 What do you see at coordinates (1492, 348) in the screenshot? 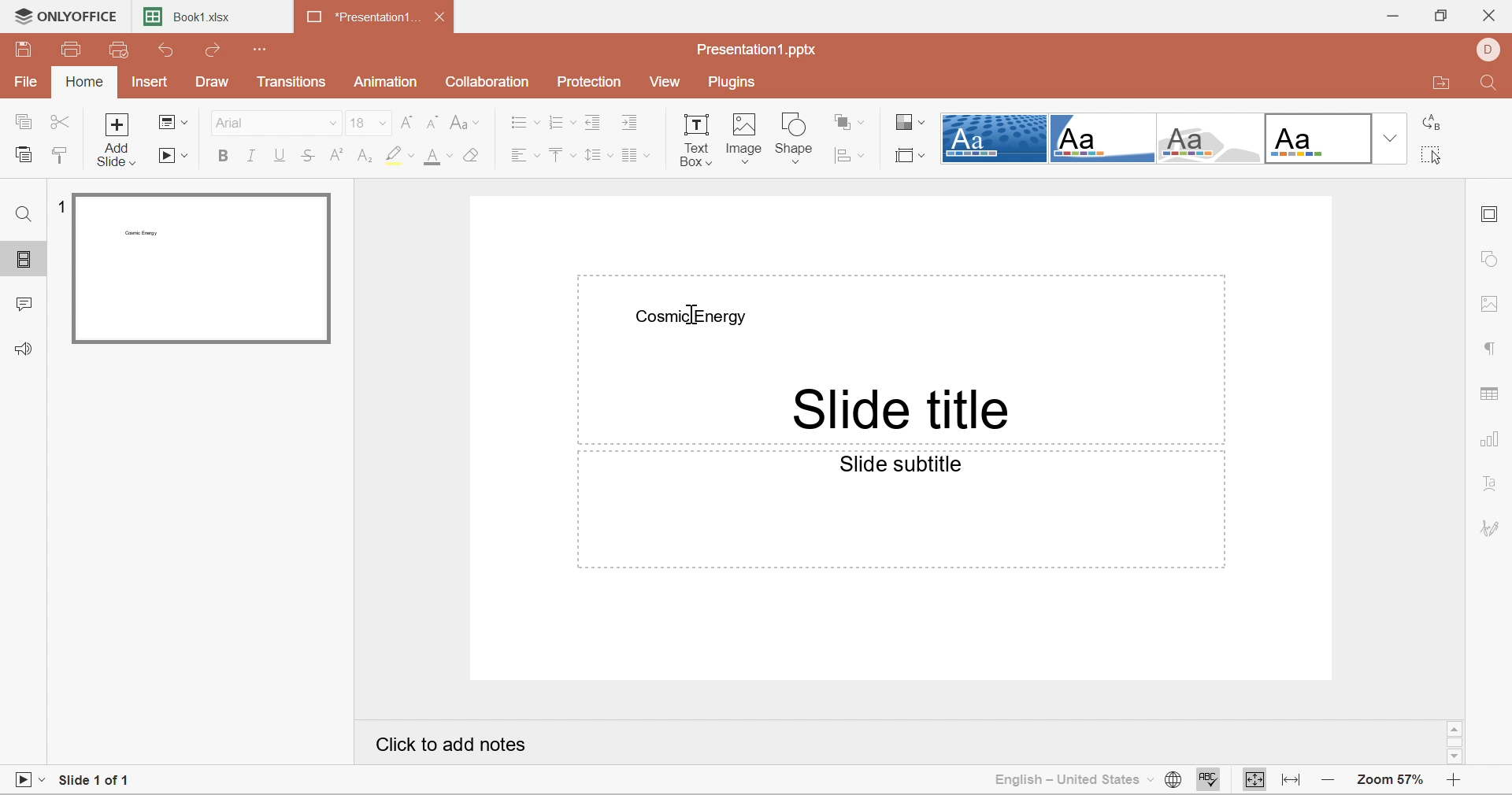
I see `Paragraph settings` at bounding box center [1492, 348].